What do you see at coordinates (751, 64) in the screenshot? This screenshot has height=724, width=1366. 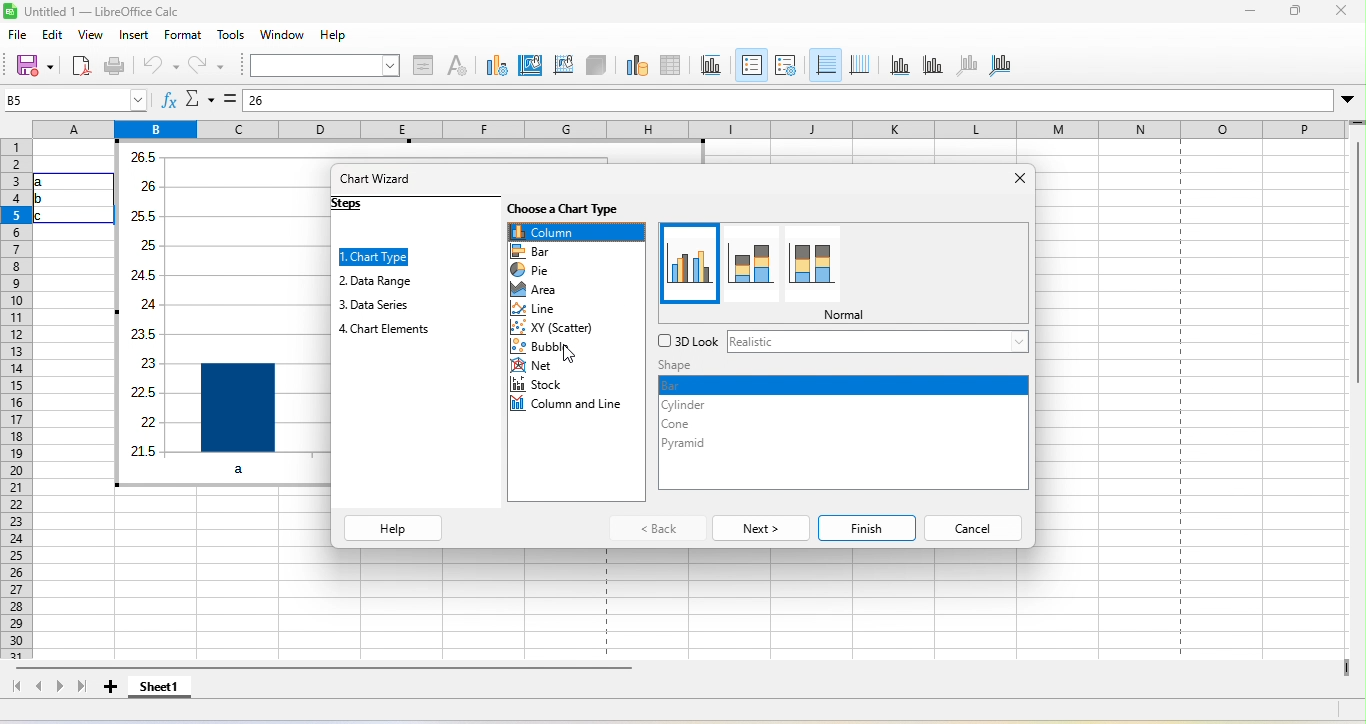 I see `legend on/off` at bounding box center [751, 64].